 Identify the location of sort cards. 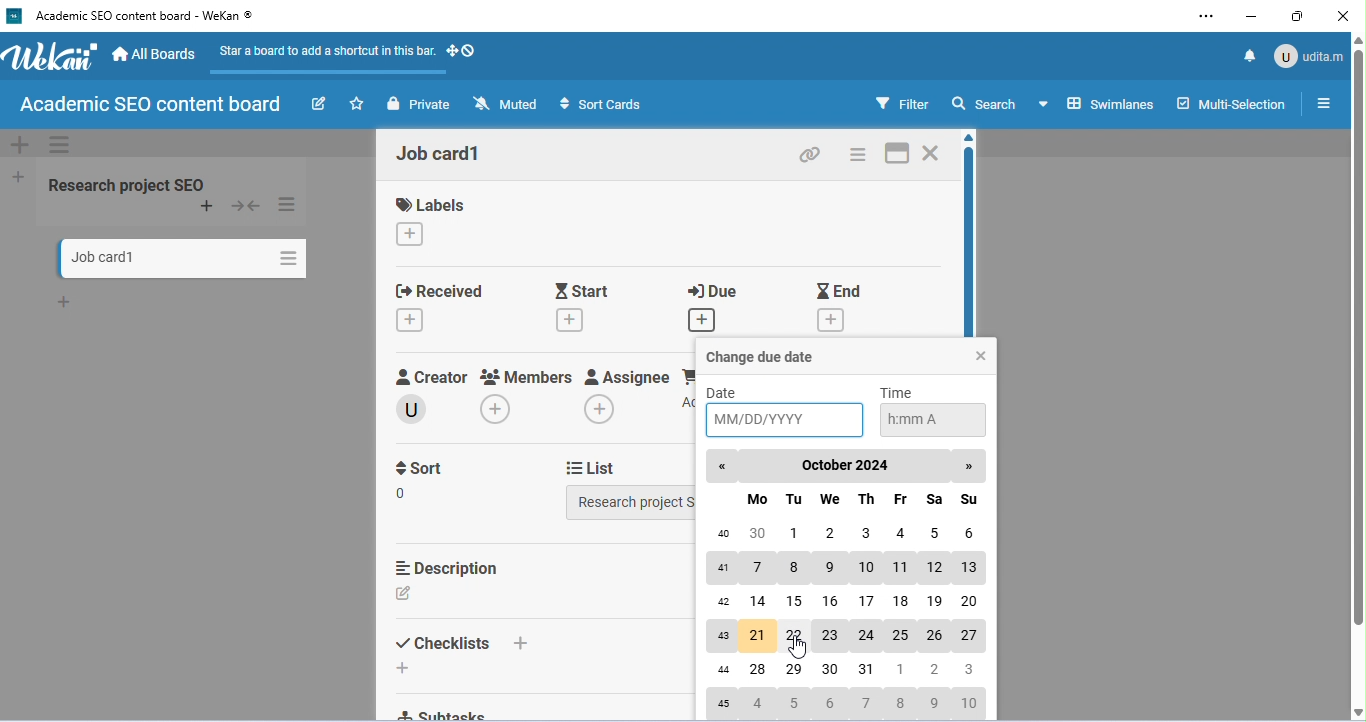
(599, 104).